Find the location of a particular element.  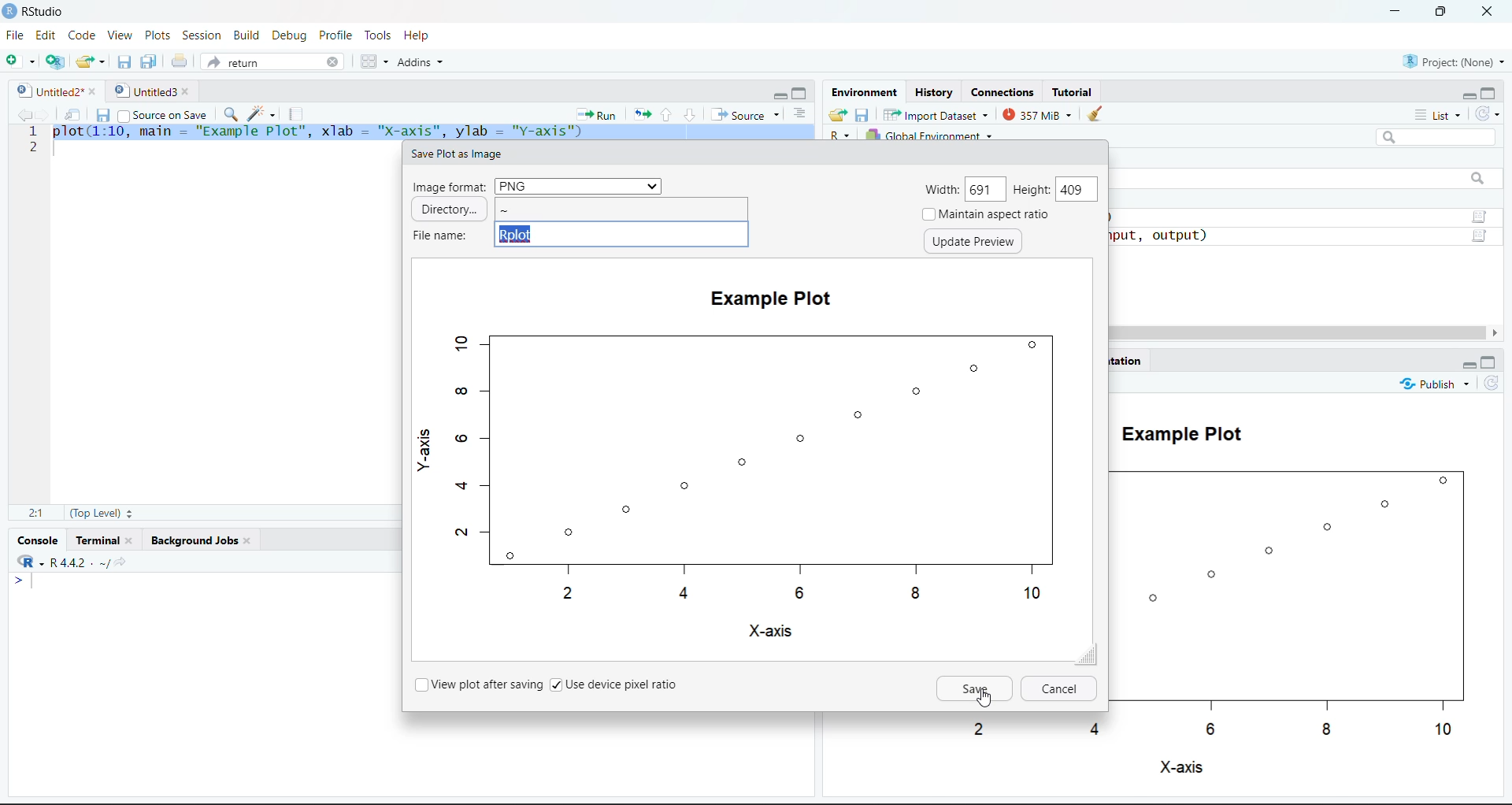

Code is located at coordinates (80, 35).